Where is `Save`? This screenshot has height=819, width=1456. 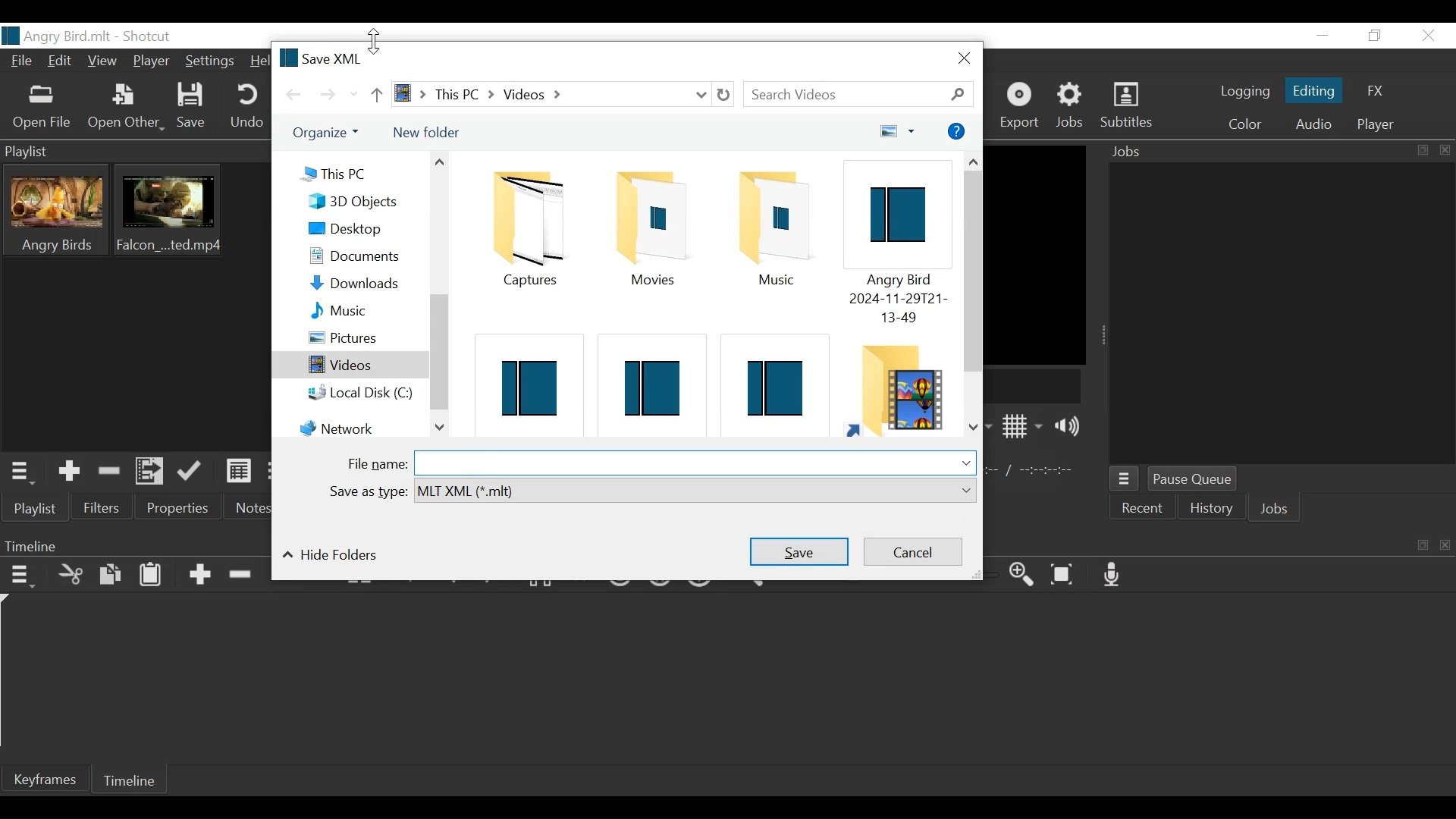 Save is located at coordinates (799, 550).